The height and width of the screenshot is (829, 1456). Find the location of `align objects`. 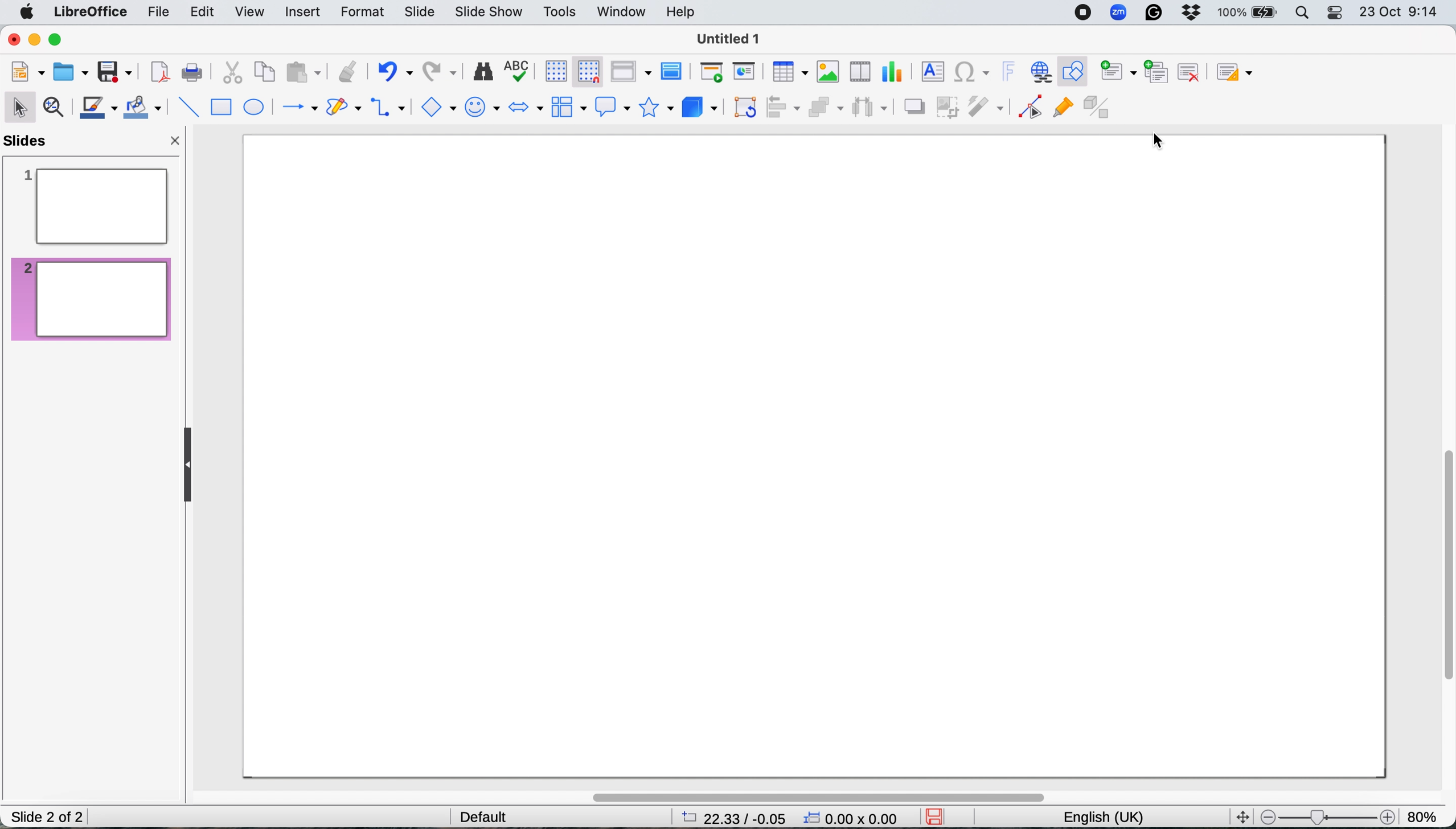

align objects is located at coordinates (784, 108).